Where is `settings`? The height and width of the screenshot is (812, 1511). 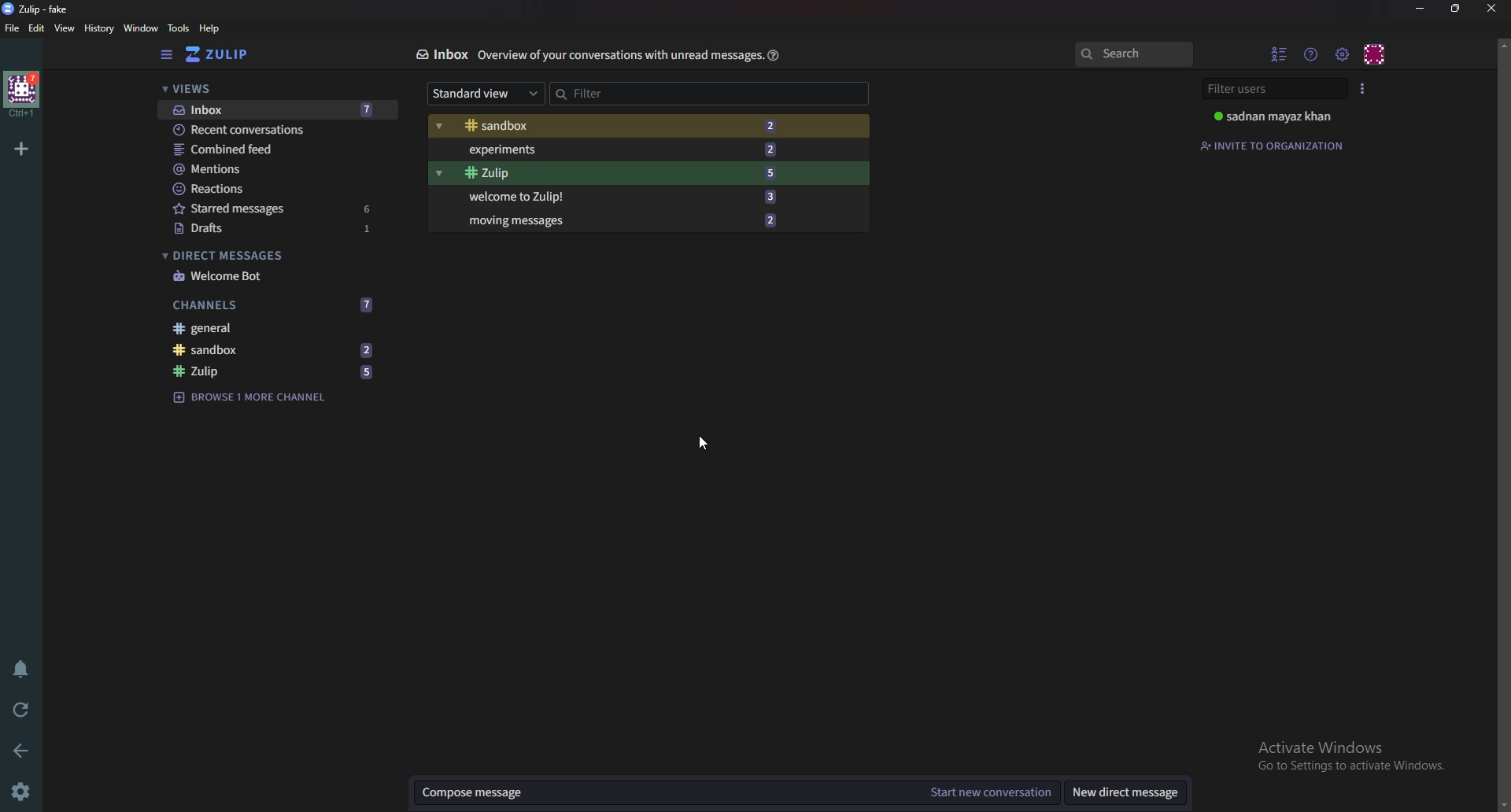
settings is located at coordinates (1343, 53).